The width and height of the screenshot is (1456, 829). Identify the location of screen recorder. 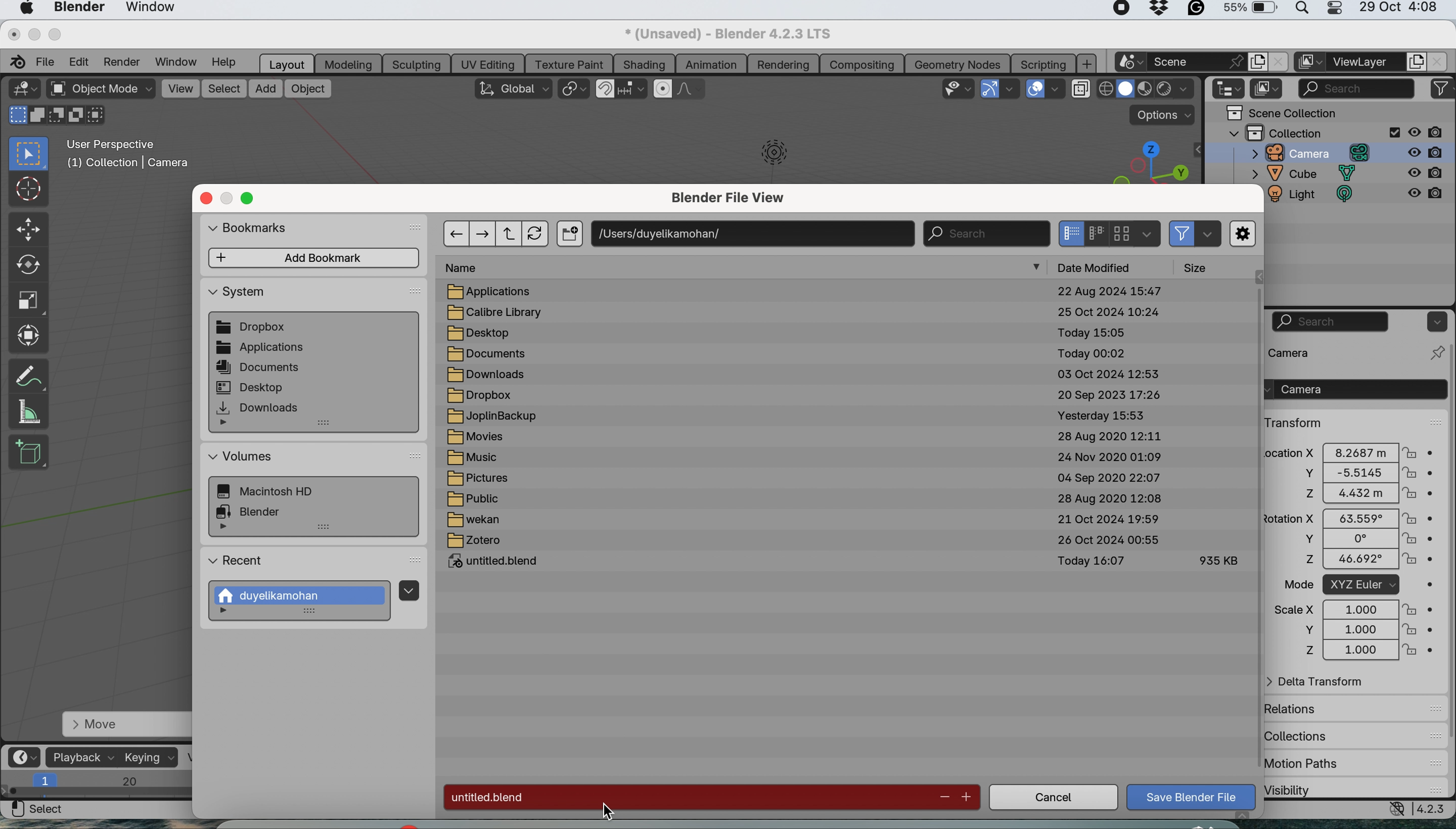
(1117, 10).